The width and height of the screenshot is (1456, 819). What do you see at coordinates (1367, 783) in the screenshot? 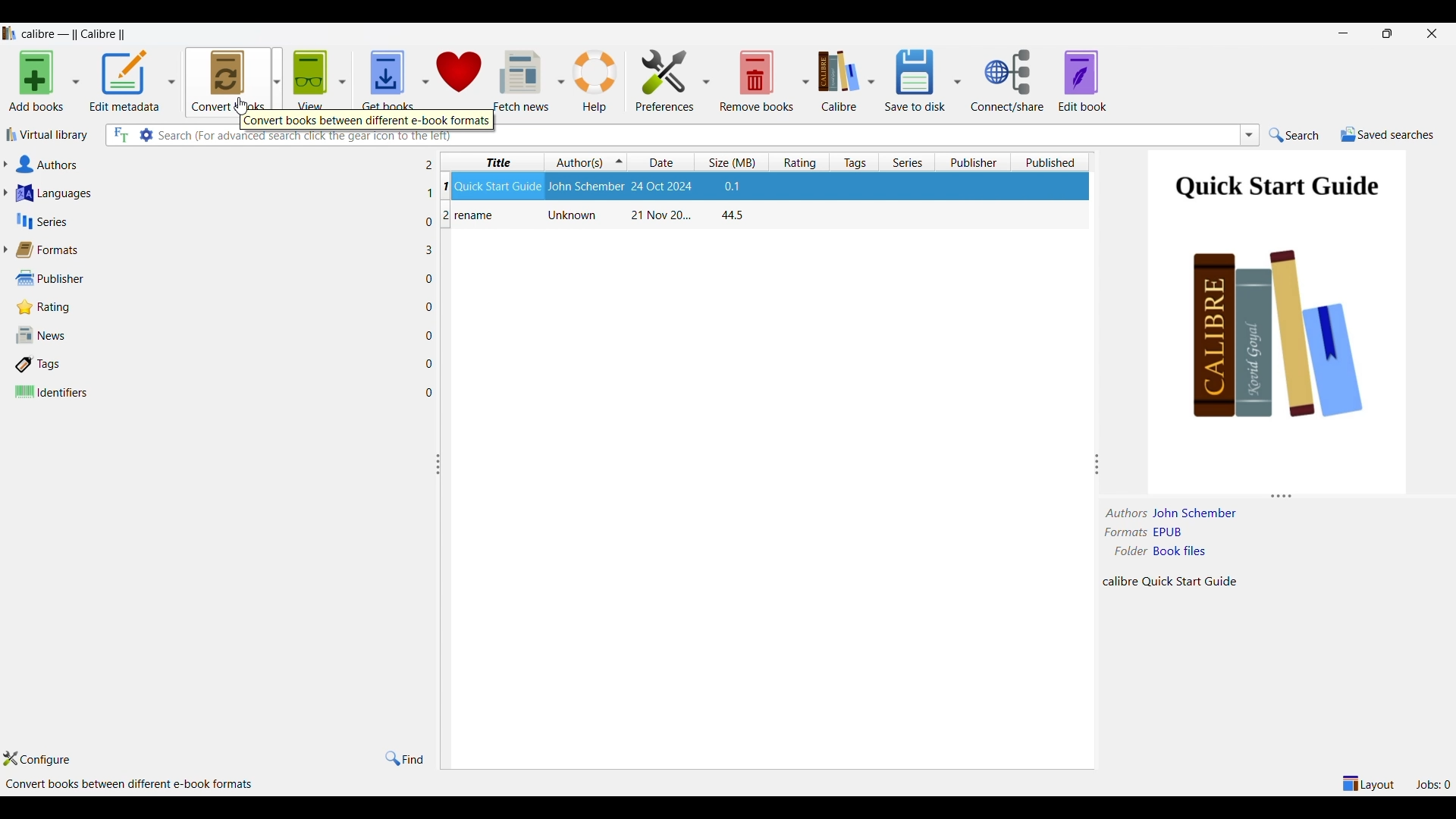
I see `Show/Hide parts of layout` at bounding box center [1367, 783].